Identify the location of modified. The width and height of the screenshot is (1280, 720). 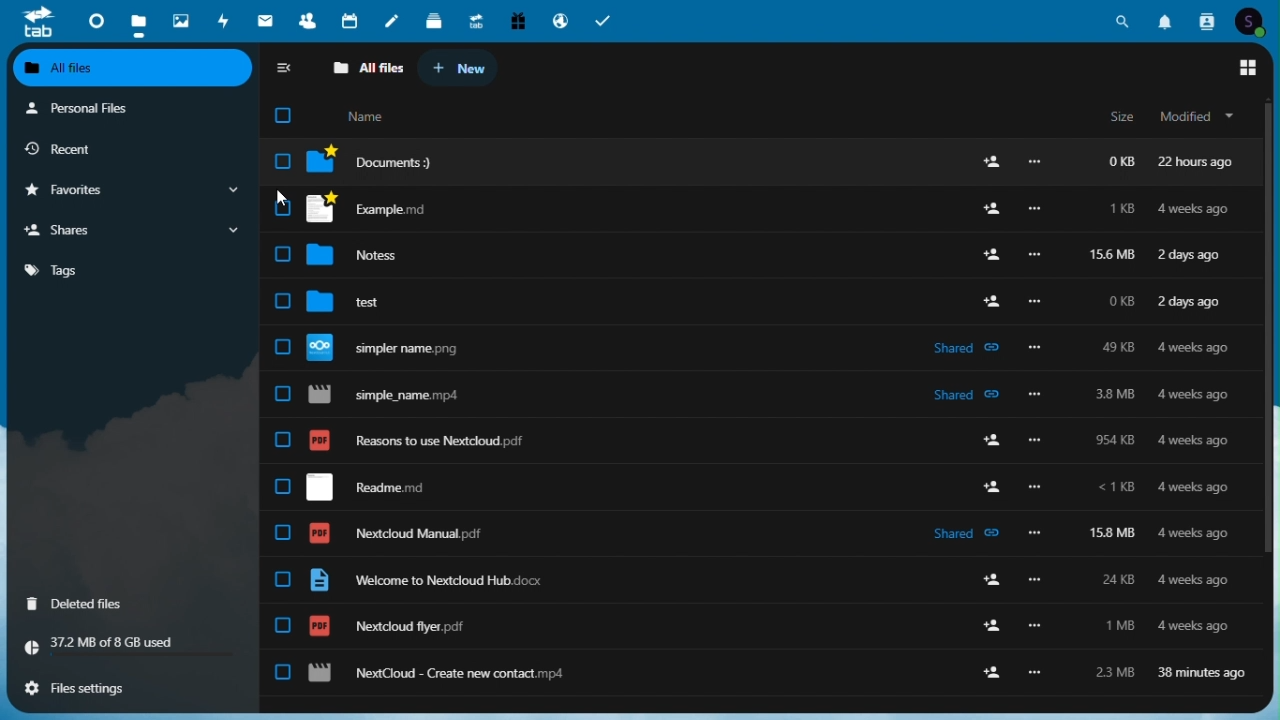
(1199, 118).